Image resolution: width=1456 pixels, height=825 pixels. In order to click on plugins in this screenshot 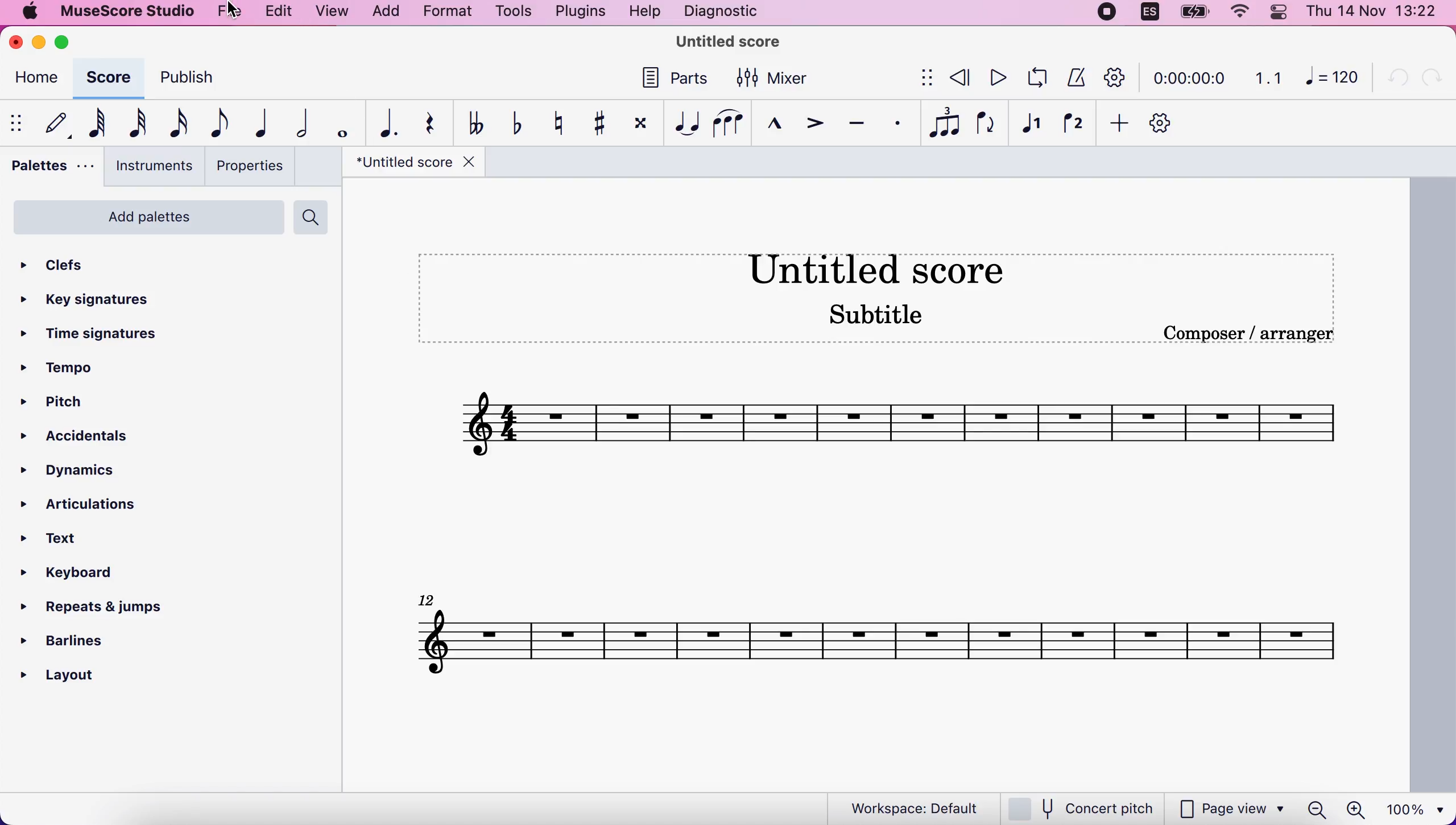, I will do `click(575, 13)`.